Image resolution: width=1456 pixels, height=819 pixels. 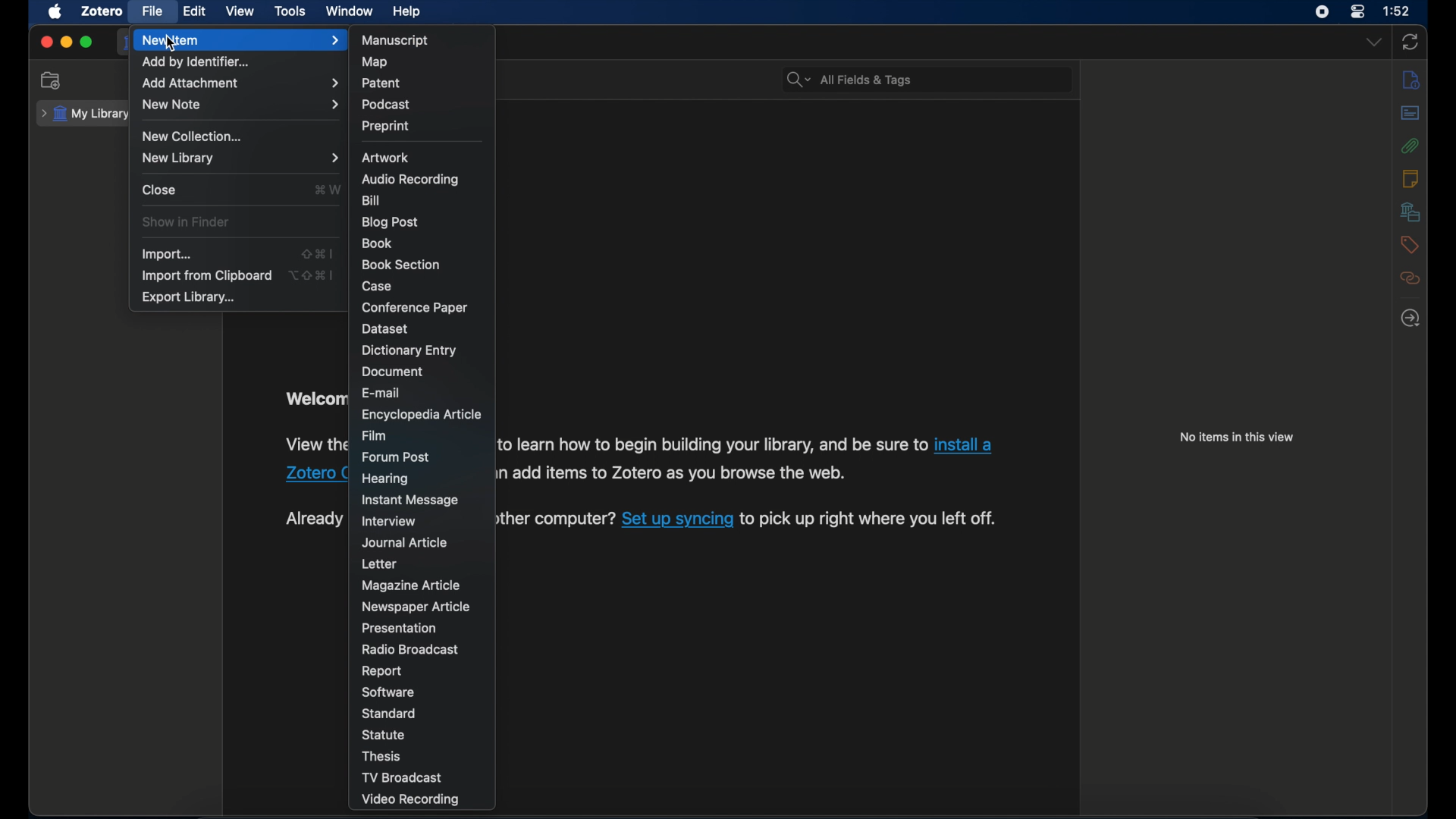 What do you see at coordinates (397, 457) in the screenshot?
I see `forum post` at bounding box center [397, 457].